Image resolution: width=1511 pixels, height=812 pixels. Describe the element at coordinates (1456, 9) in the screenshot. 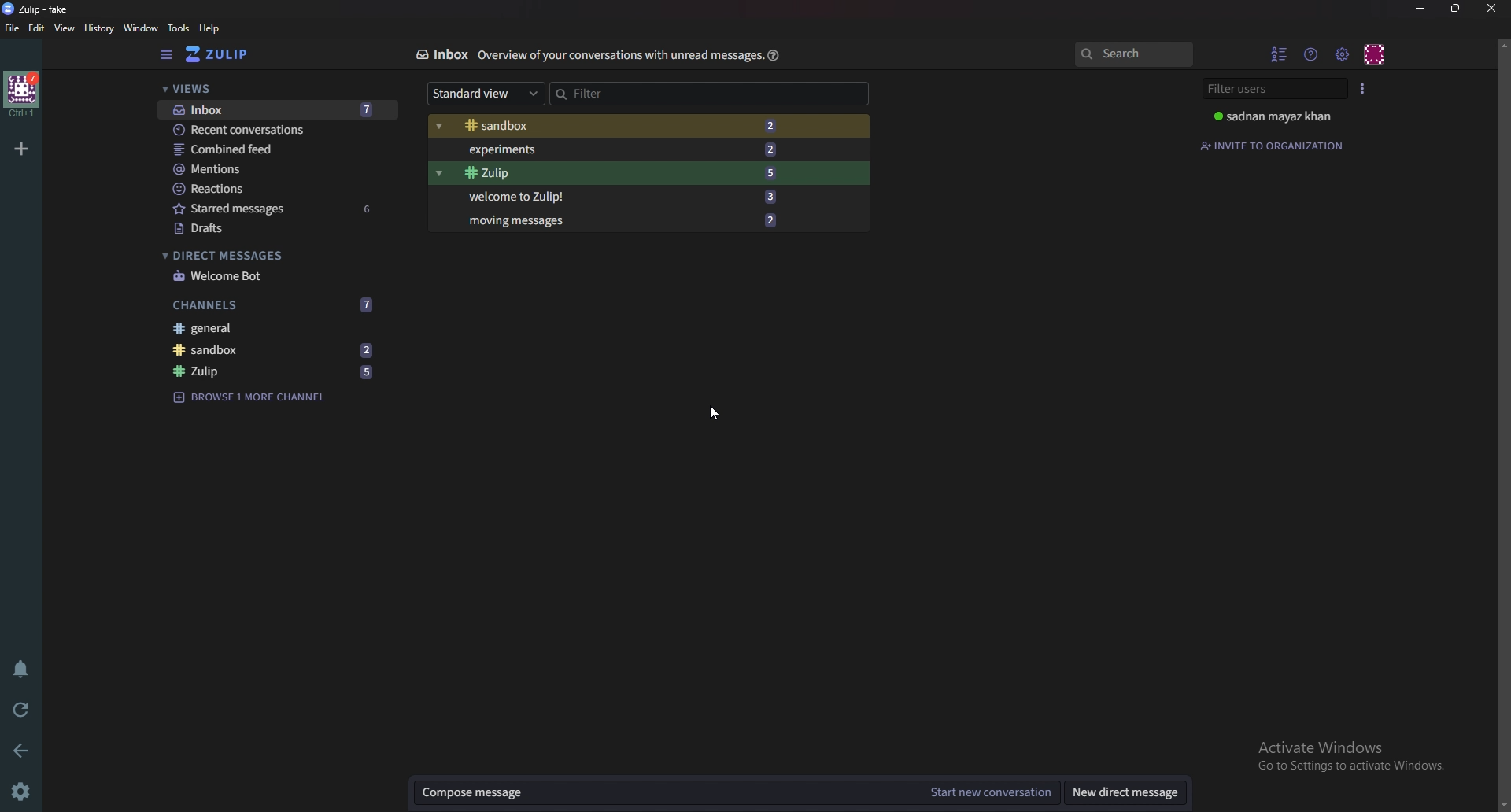

I see `Resize` at that location.